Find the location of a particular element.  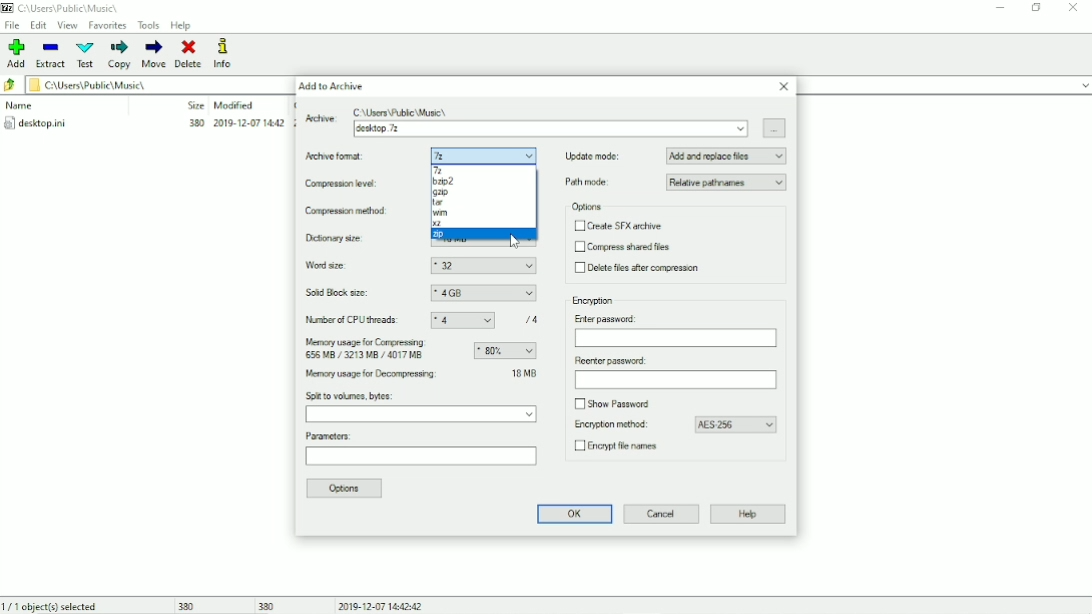

Size is located at coordinates (192, 105).